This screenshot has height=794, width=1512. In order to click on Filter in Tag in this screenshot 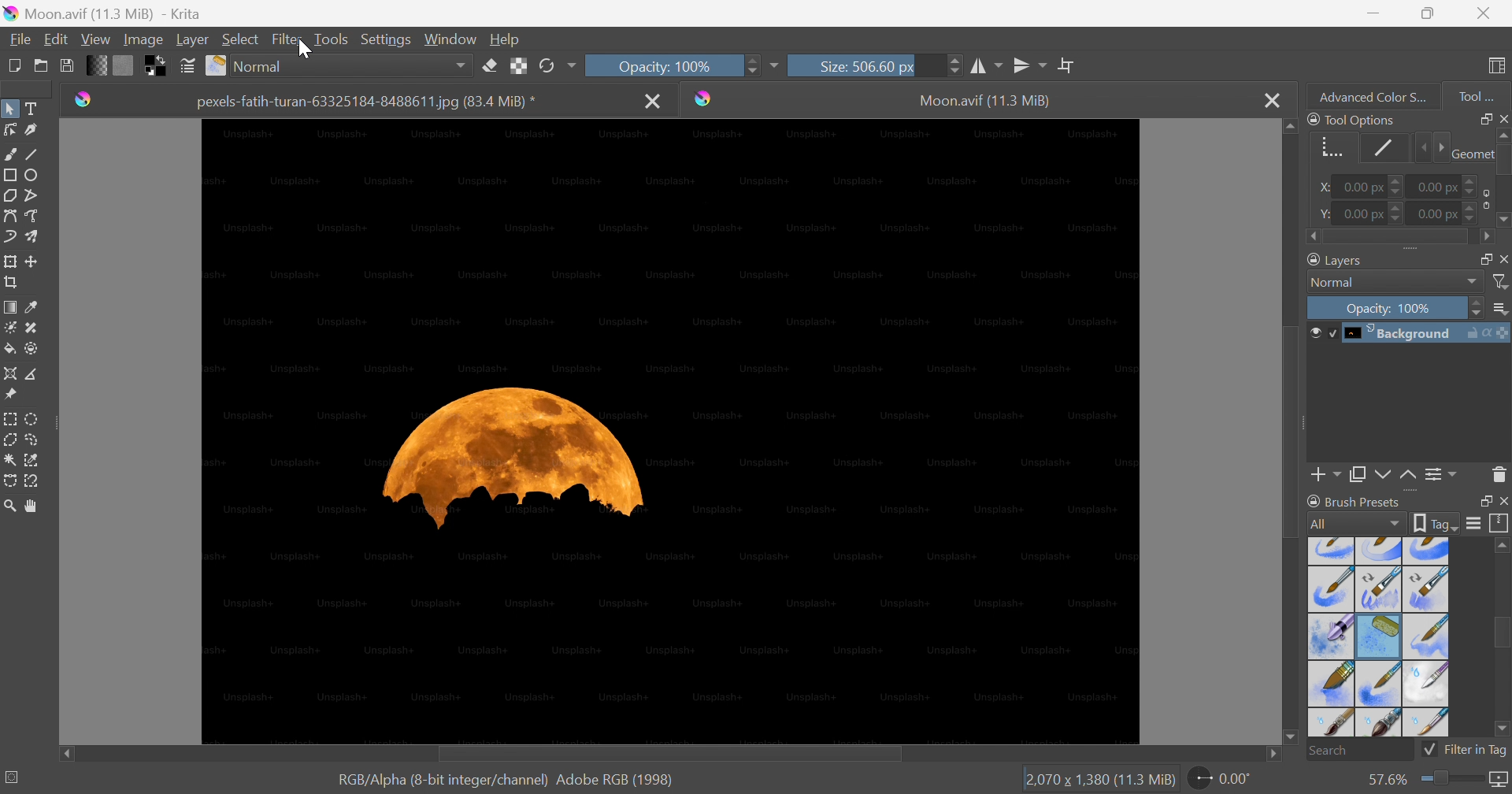, I will do `click(1465, 752)`.